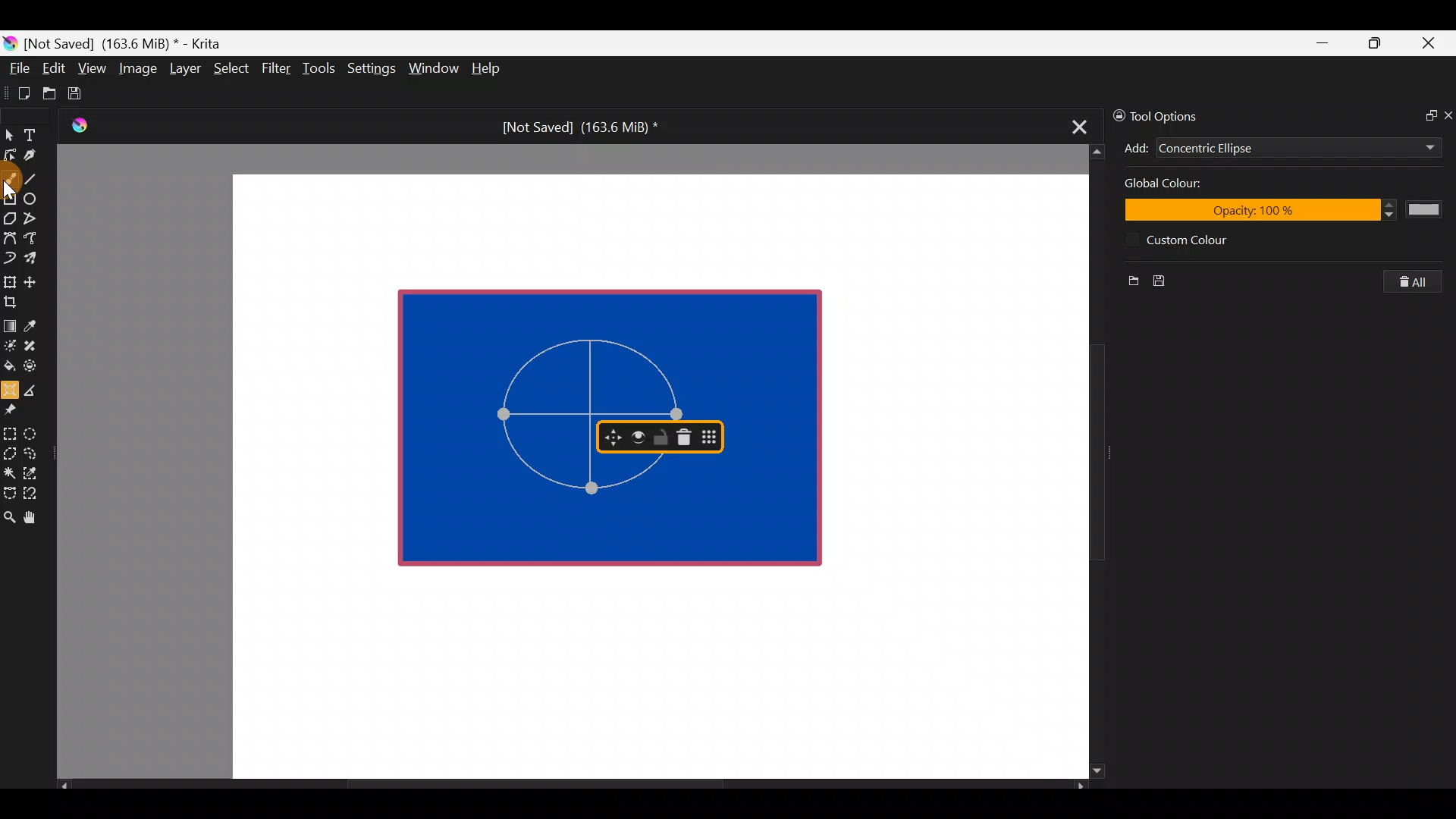 Image resolution: width=1456 pixels, height=819 pixels. Describe the element at coordinates (10, 154) in the screenshot. I see `Edit shapes tool` at that location.